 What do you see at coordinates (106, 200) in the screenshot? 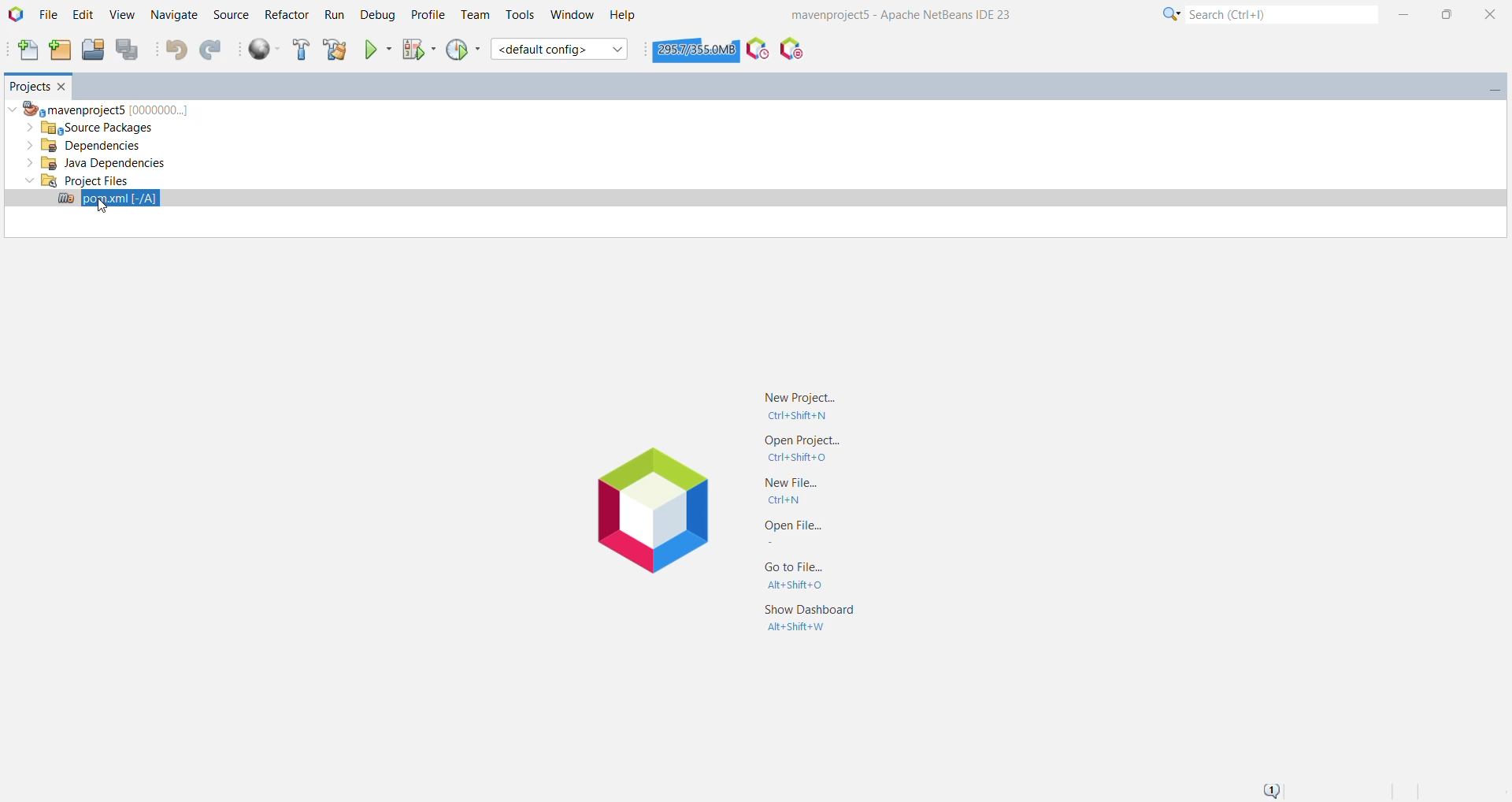
I see `pom.xml` at bounding box center [106, 200].